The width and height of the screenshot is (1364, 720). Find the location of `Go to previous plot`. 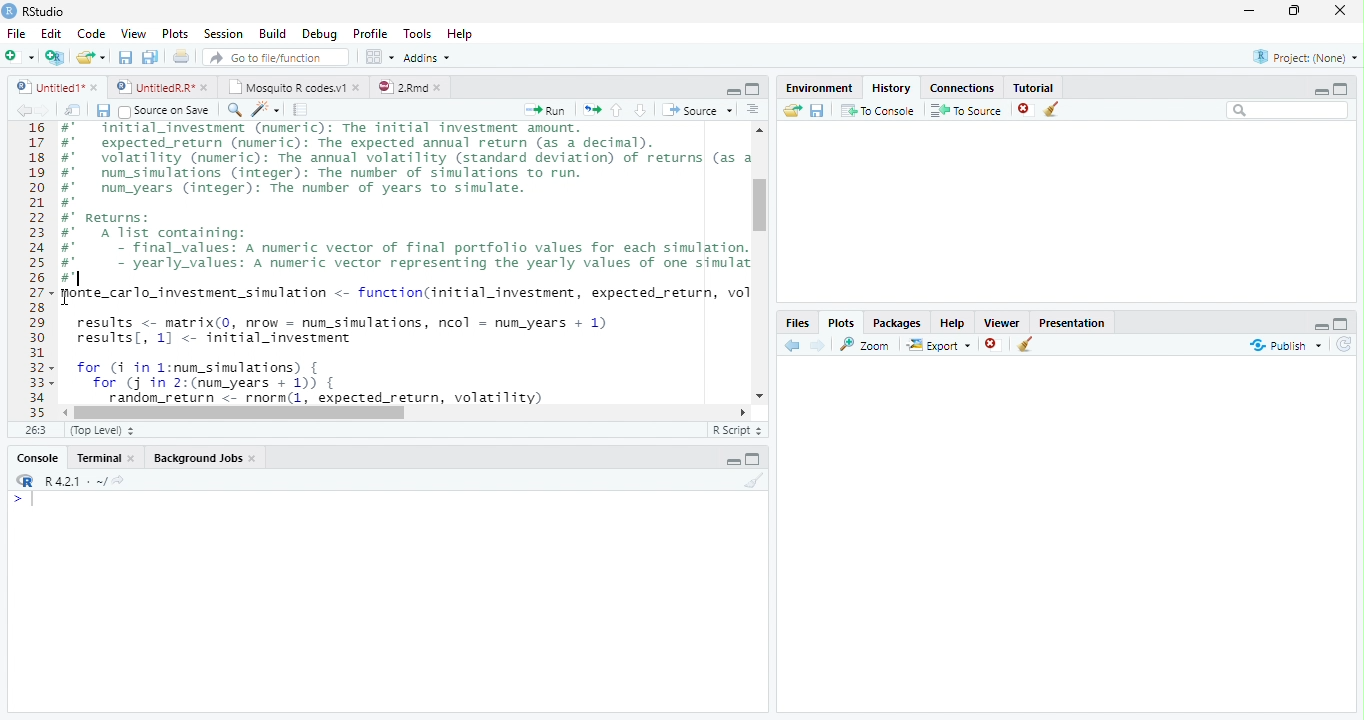

Go to previous plot is located at coordinates (793, 345).